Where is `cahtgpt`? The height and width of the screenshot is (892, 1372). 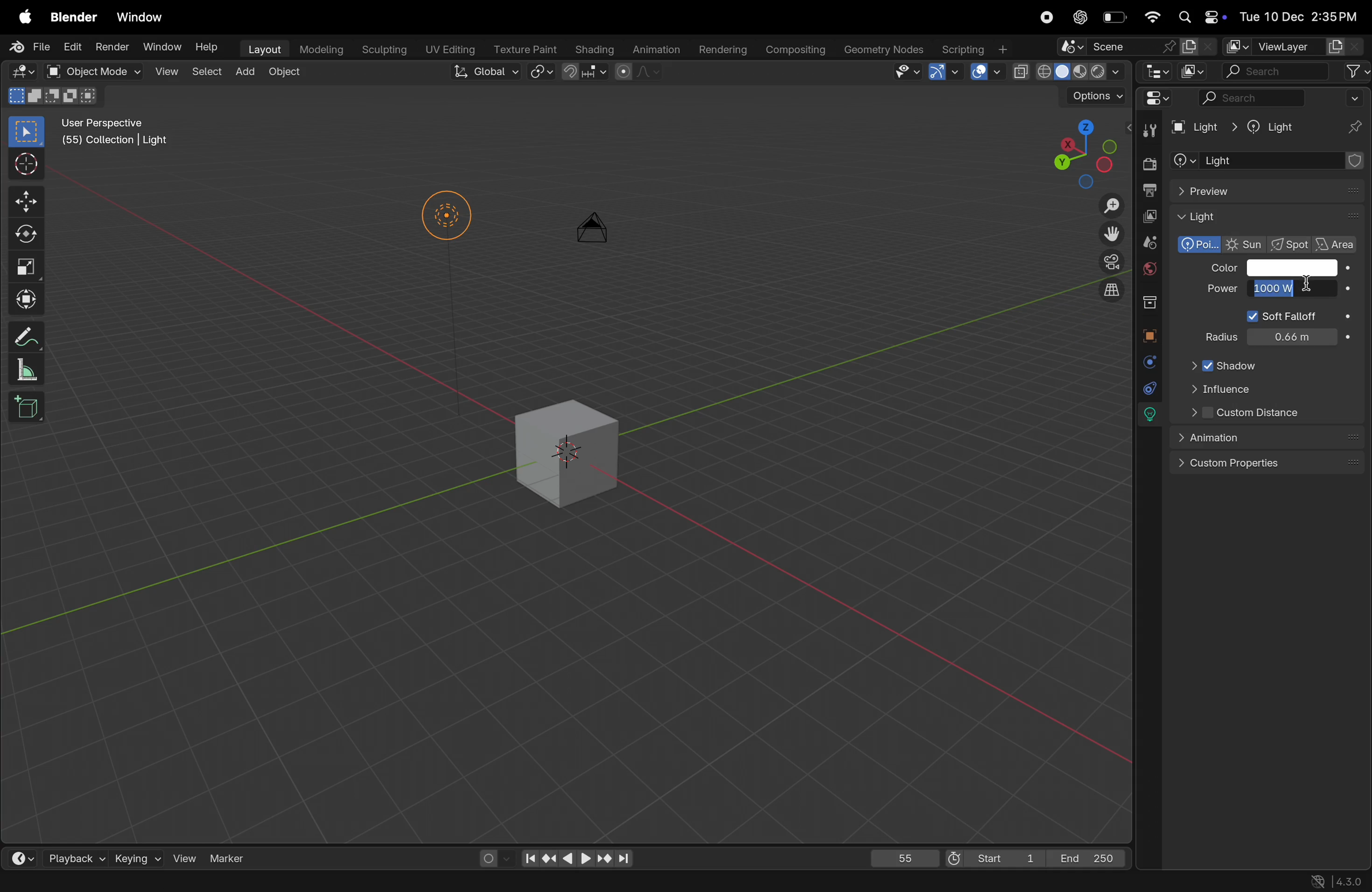 cahtgpt is located at coordinates (1079, 17).